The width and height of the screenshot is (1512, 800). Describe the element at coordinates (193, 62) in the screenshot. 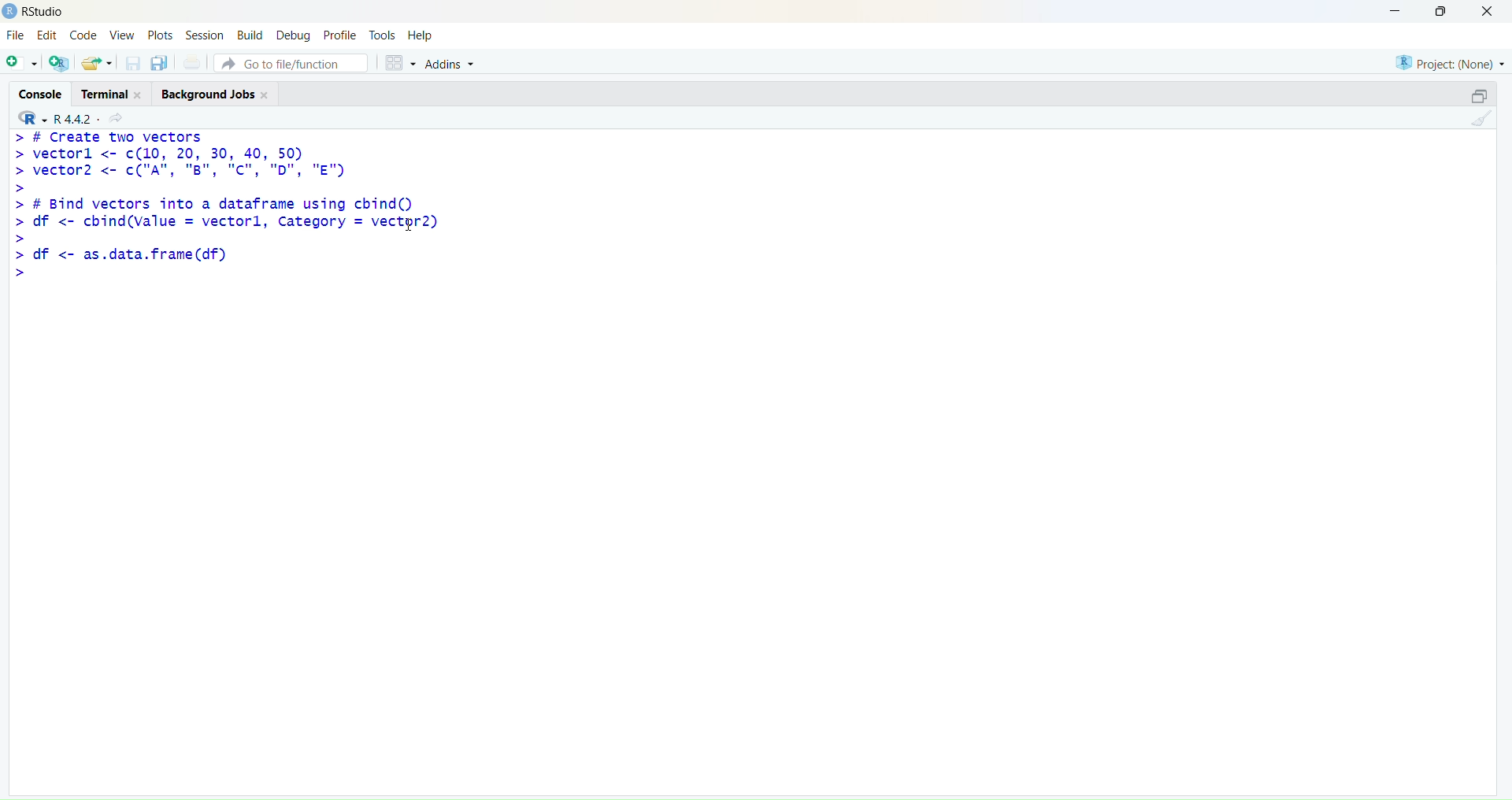

I see `print the current file` at that location.